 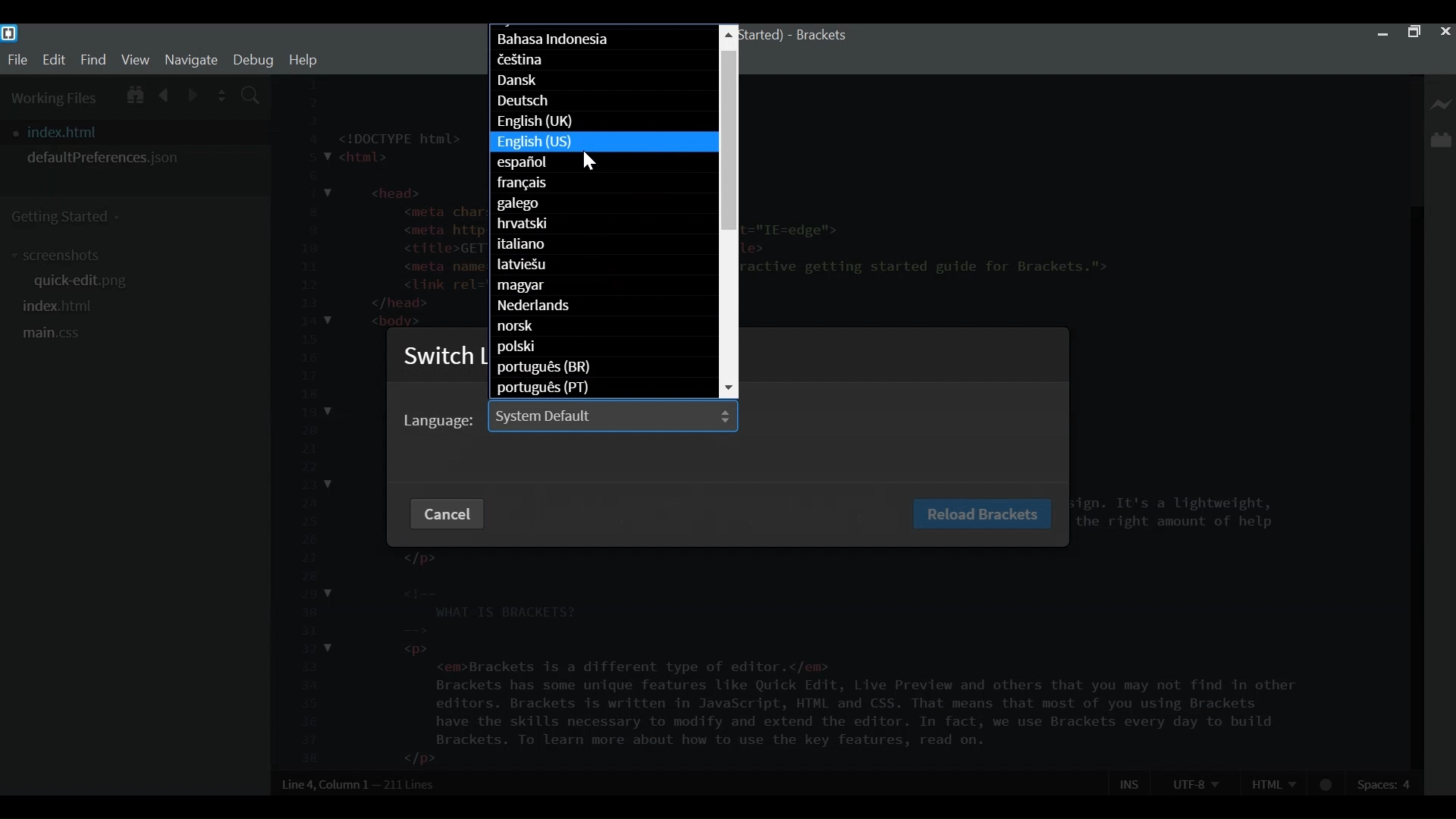 What do you see at coordinates (604, 204) in the screenshot?
I see `galego` at bounding box center [604, 204].